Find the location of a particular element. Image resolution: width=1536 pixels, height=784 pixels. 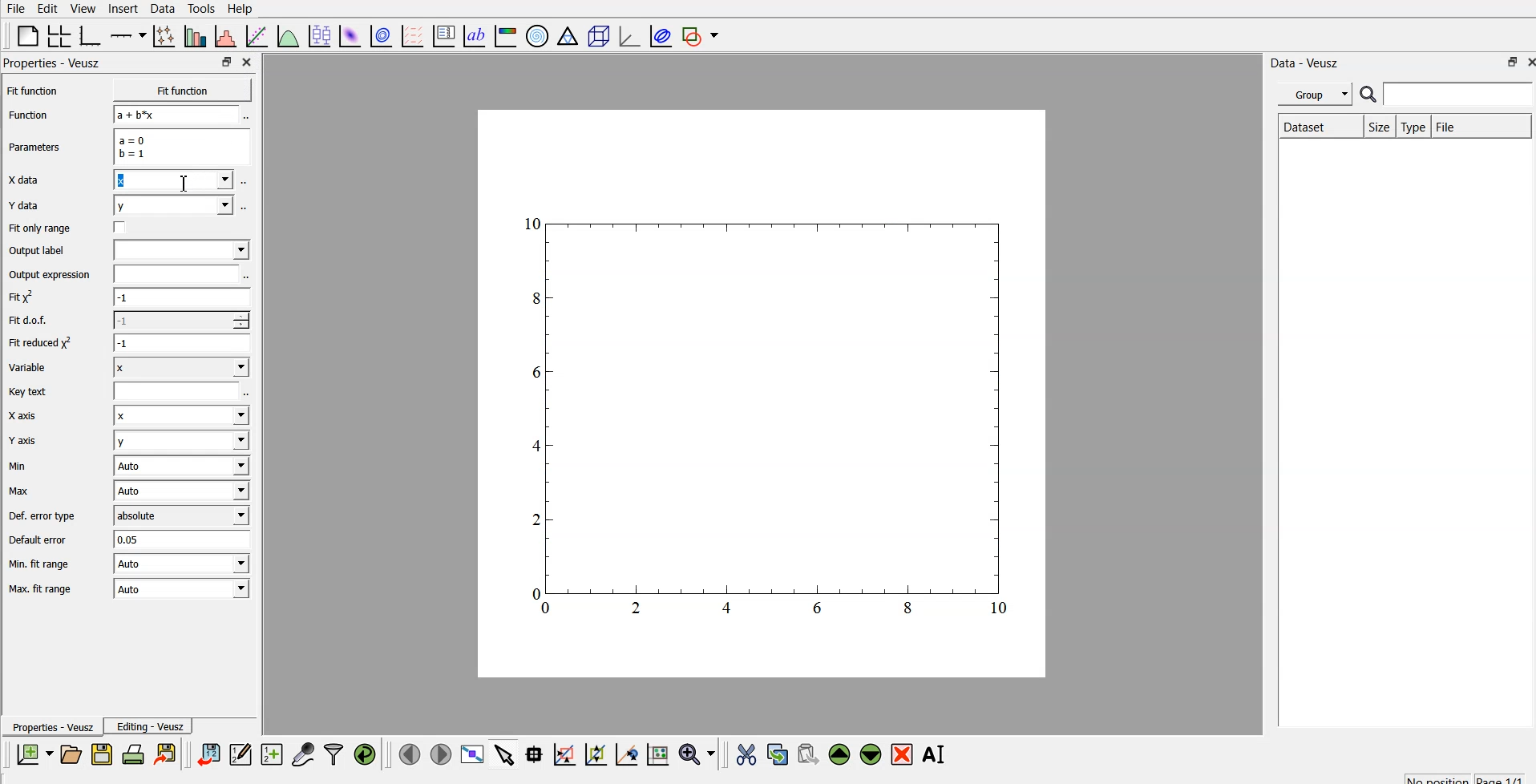

base graph is located at coordinates (89, 37).